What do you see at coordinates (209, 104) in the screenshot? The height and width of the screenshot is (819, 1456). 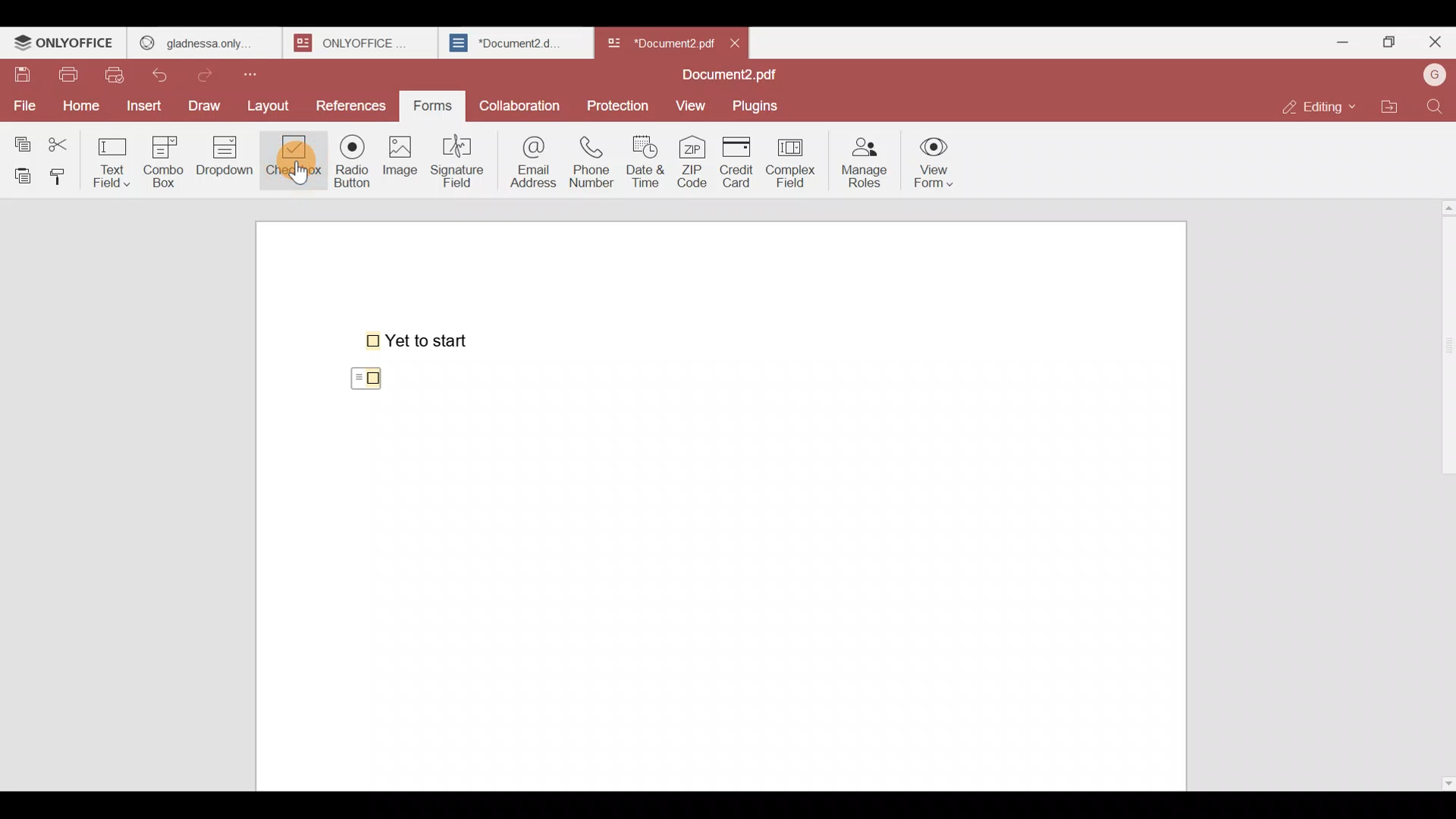 I see `Draw` at bounding box center [209, 104].